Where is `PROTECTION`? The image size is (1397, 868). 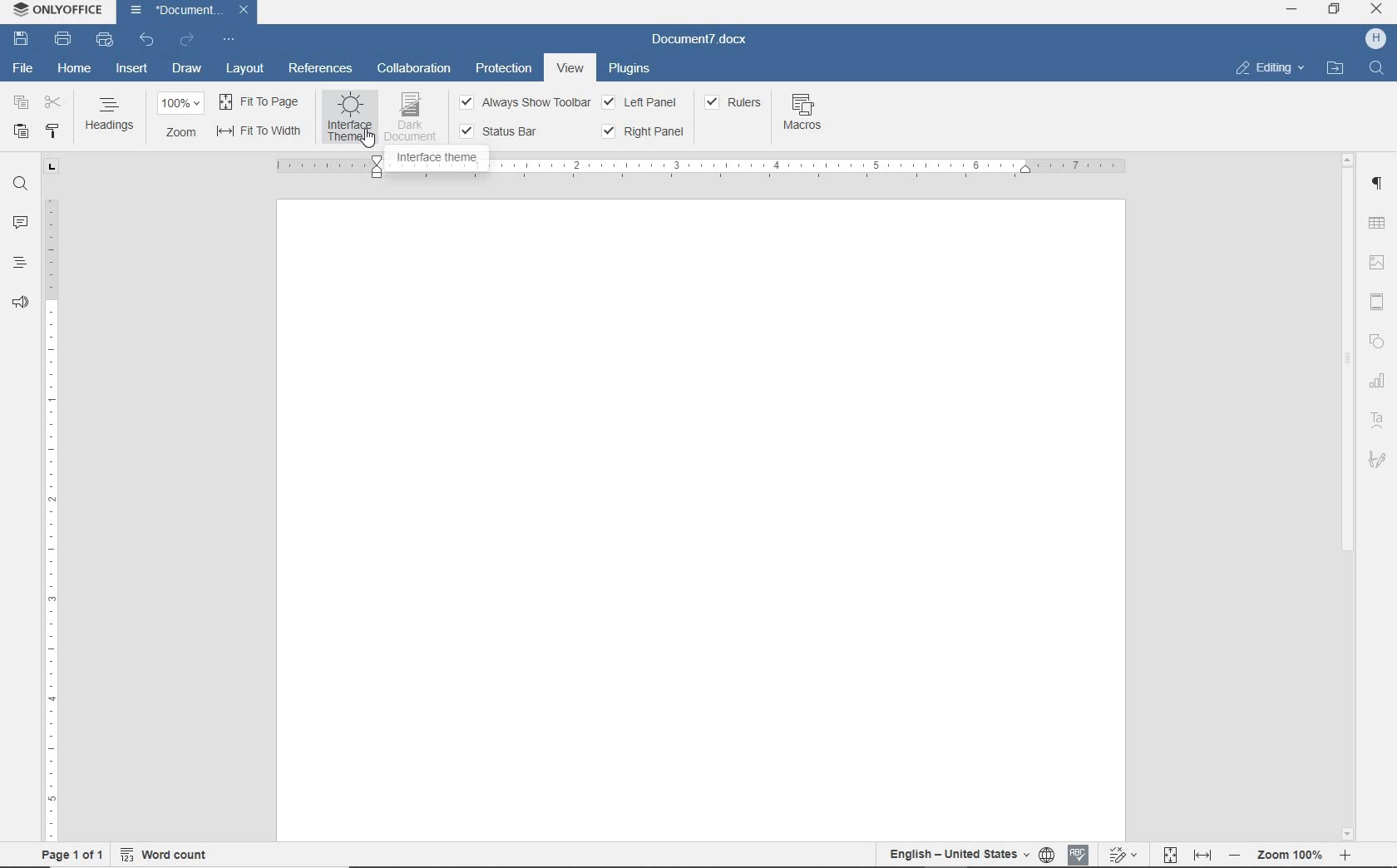
PROTECTION is located at coordinates (507, 70).